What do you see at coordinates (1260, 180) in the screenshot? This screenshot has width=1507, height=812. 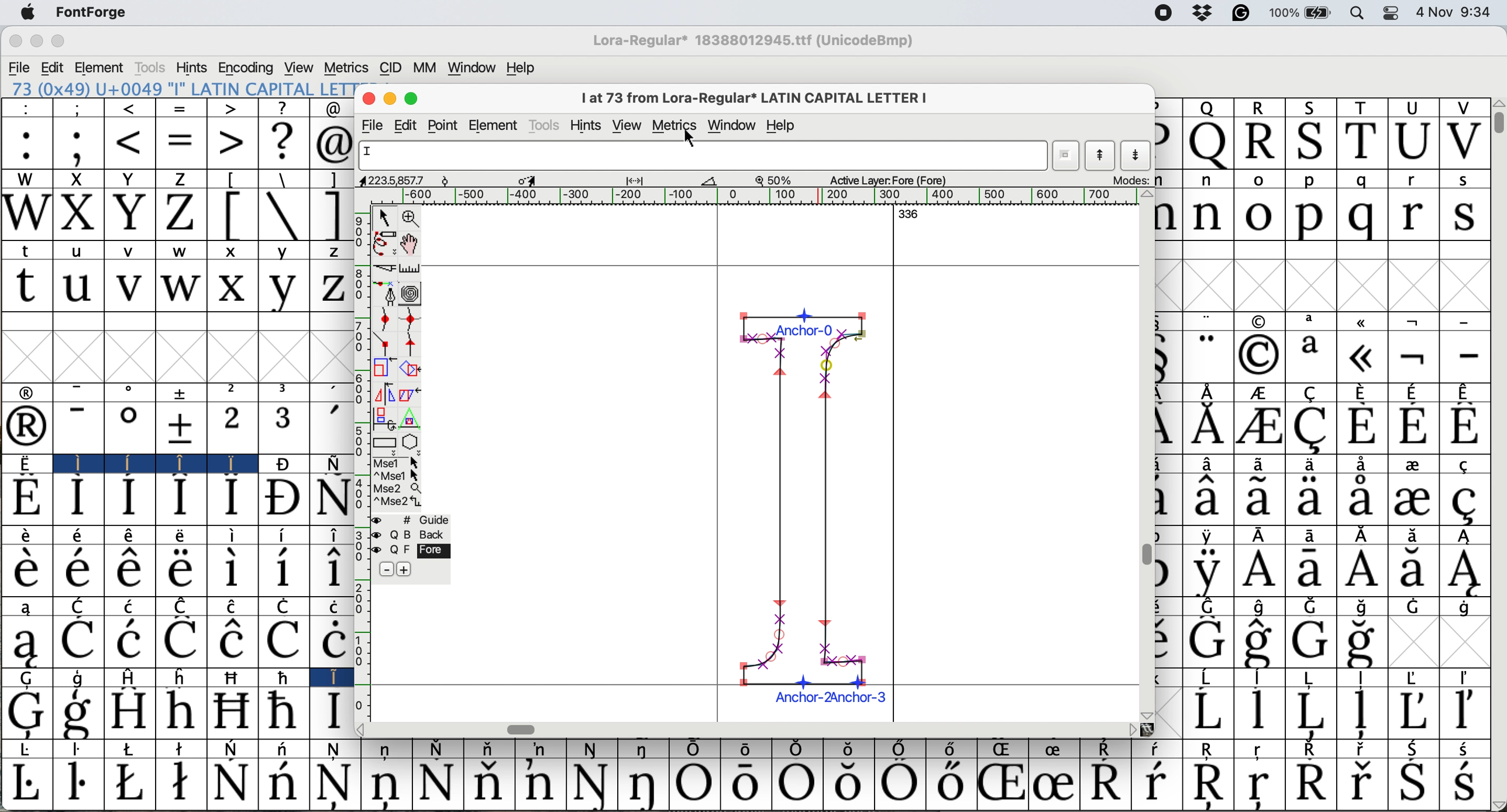 I see `o` at bounding box center [1260, 180].